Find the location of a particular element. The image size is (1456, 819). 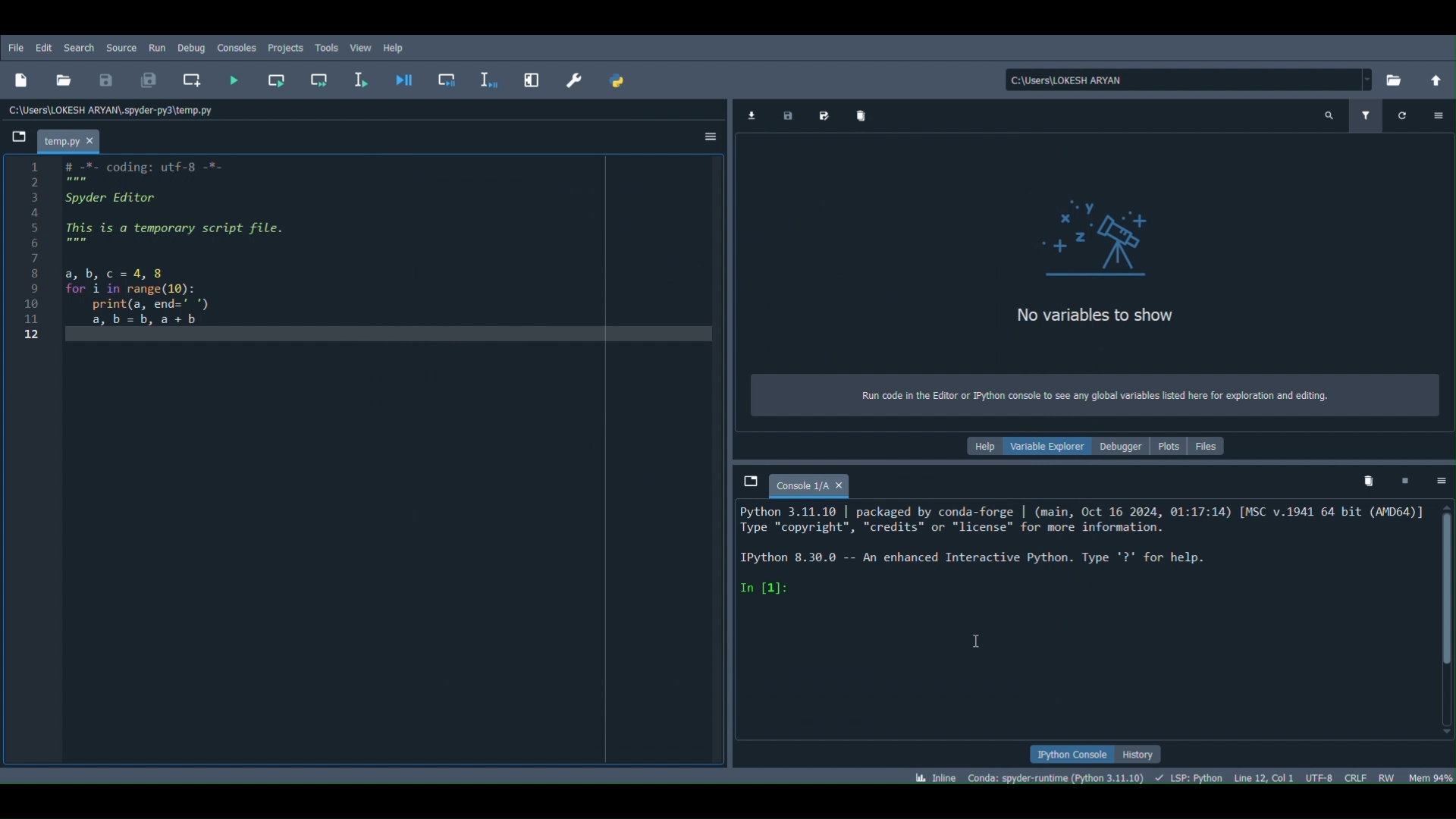

Run file (F5) is located at coordinates (236, 80).